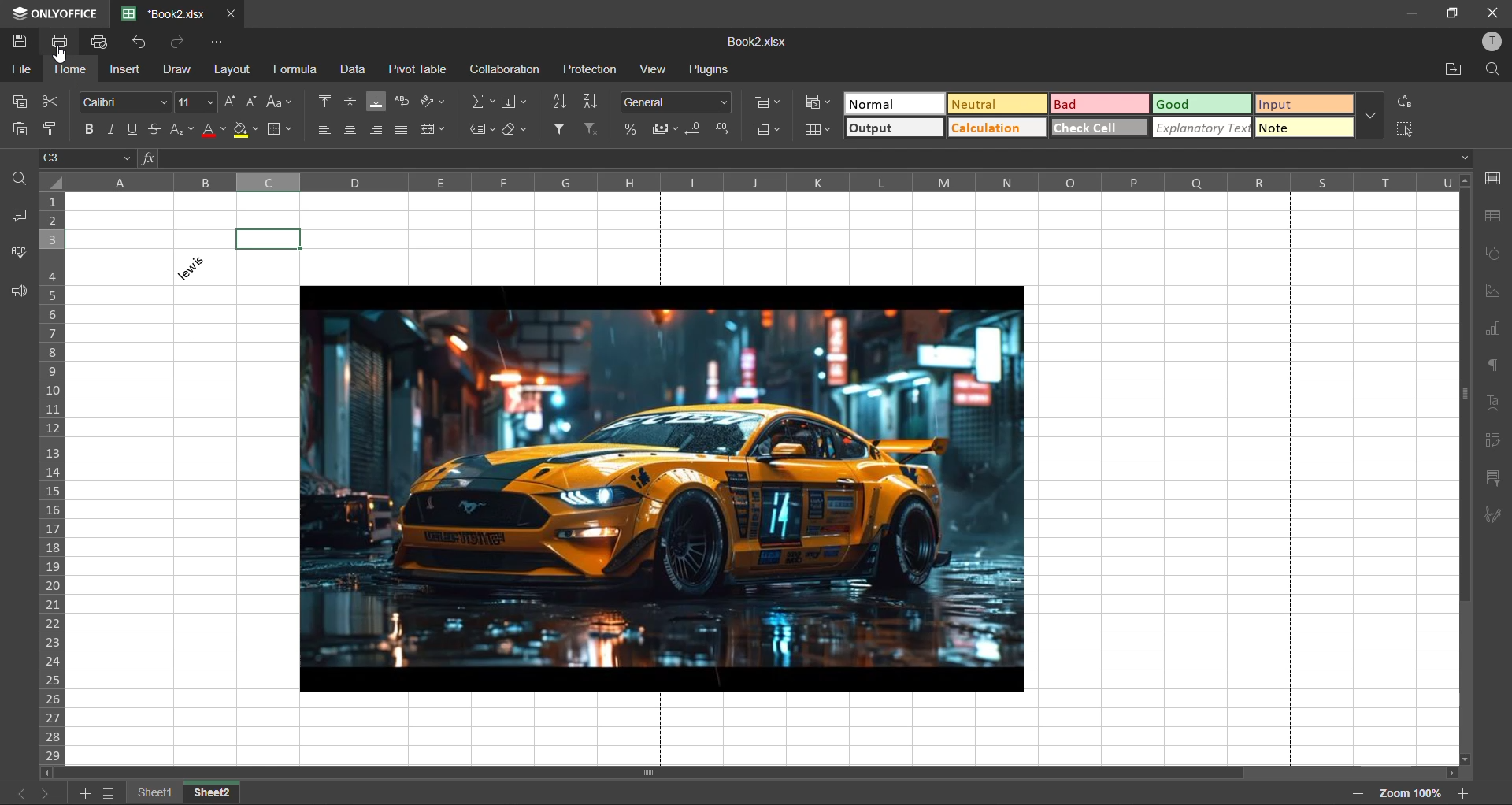 This screenshot has height=805, width=1512. What do you see at coordinates (755, 42) in the screenshot?
I see `filename` at bounding box center [755, 42].